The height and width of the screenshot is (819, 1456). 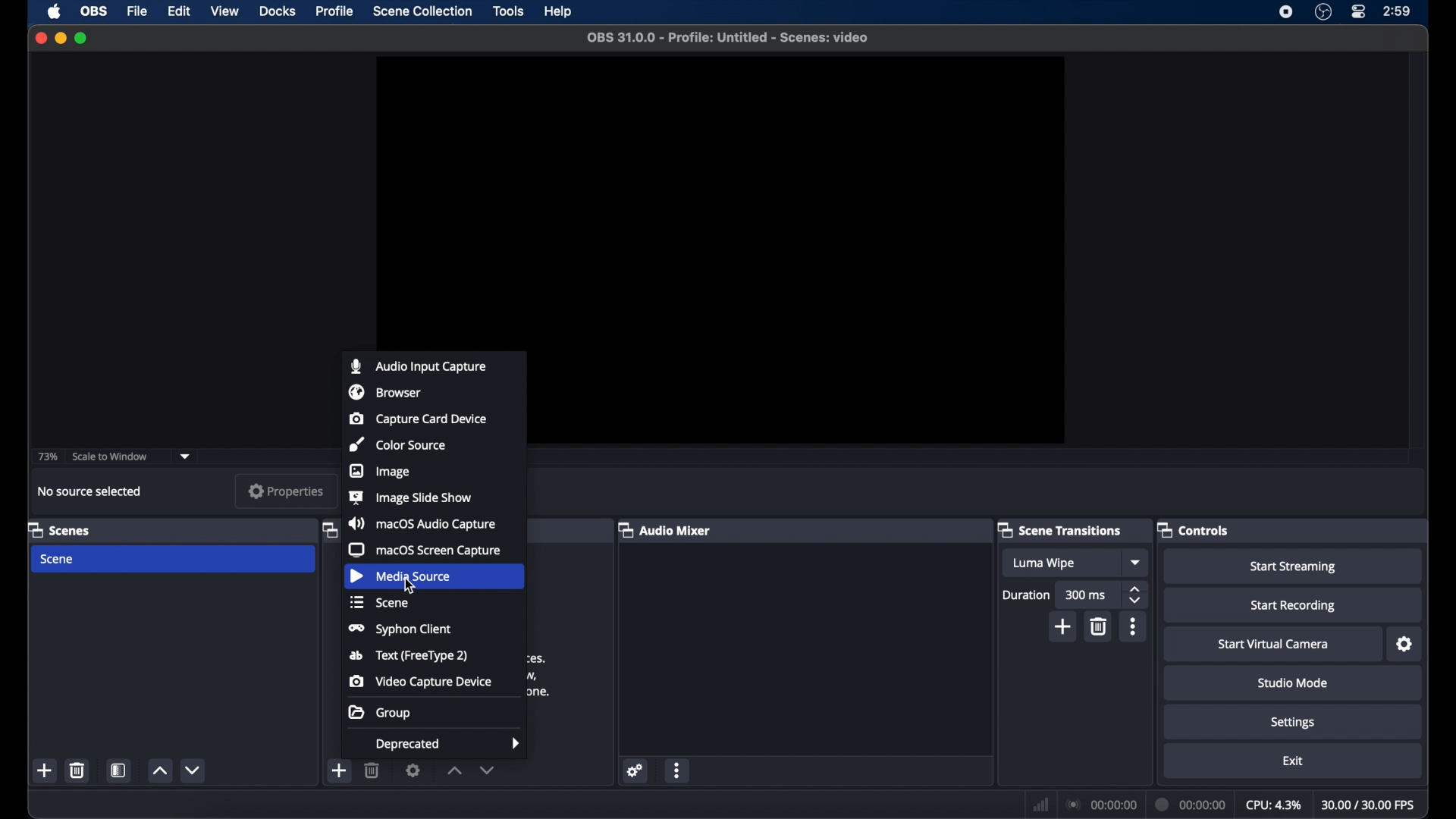 What do you see at coordinates (1287, 12) in the screenshot?
I see `screen recorder icon` at bounding box center [1287, 12].